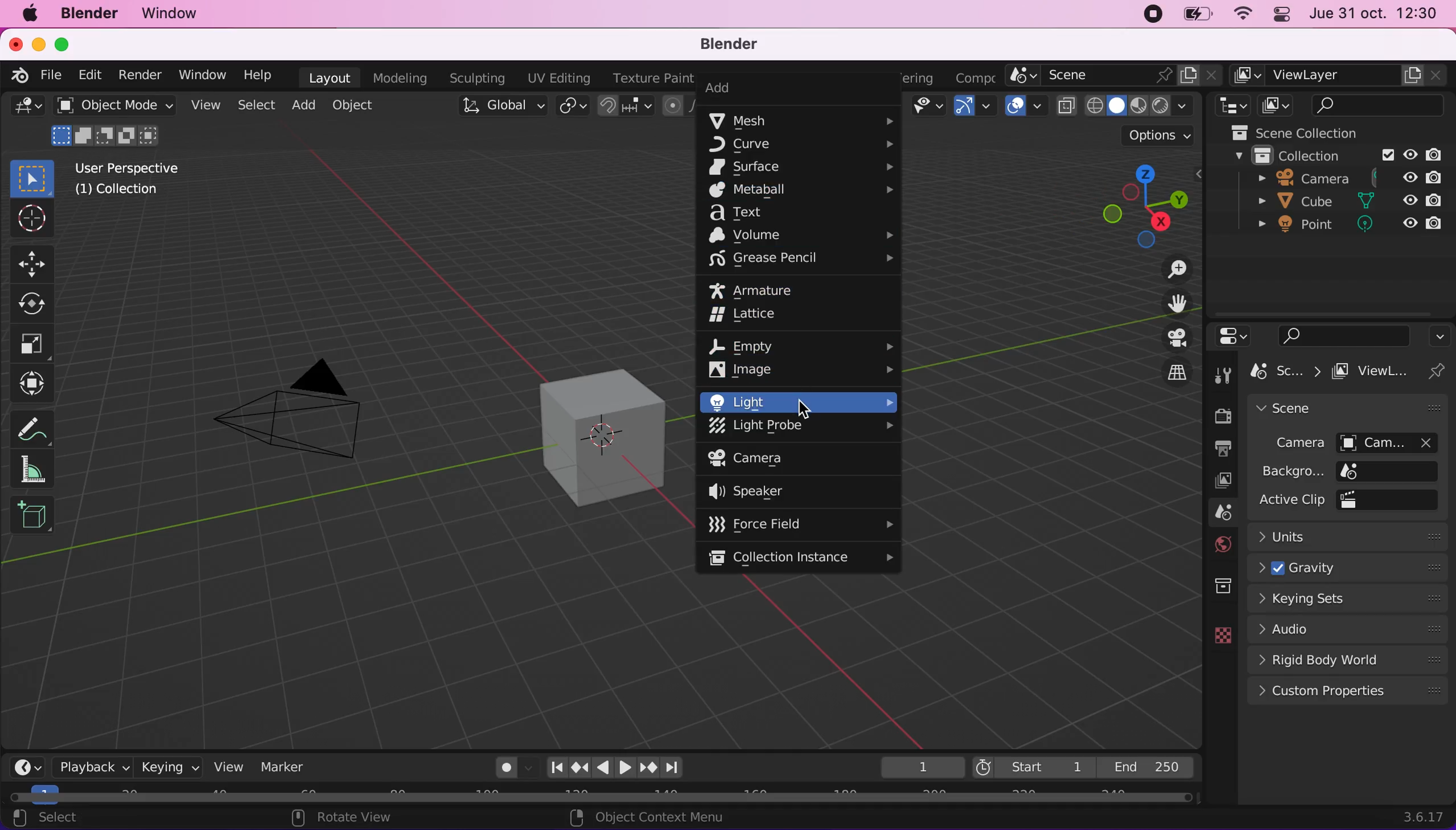 This screenshot has height=830, width=1456. I want to click on search, so click(1379, 105).